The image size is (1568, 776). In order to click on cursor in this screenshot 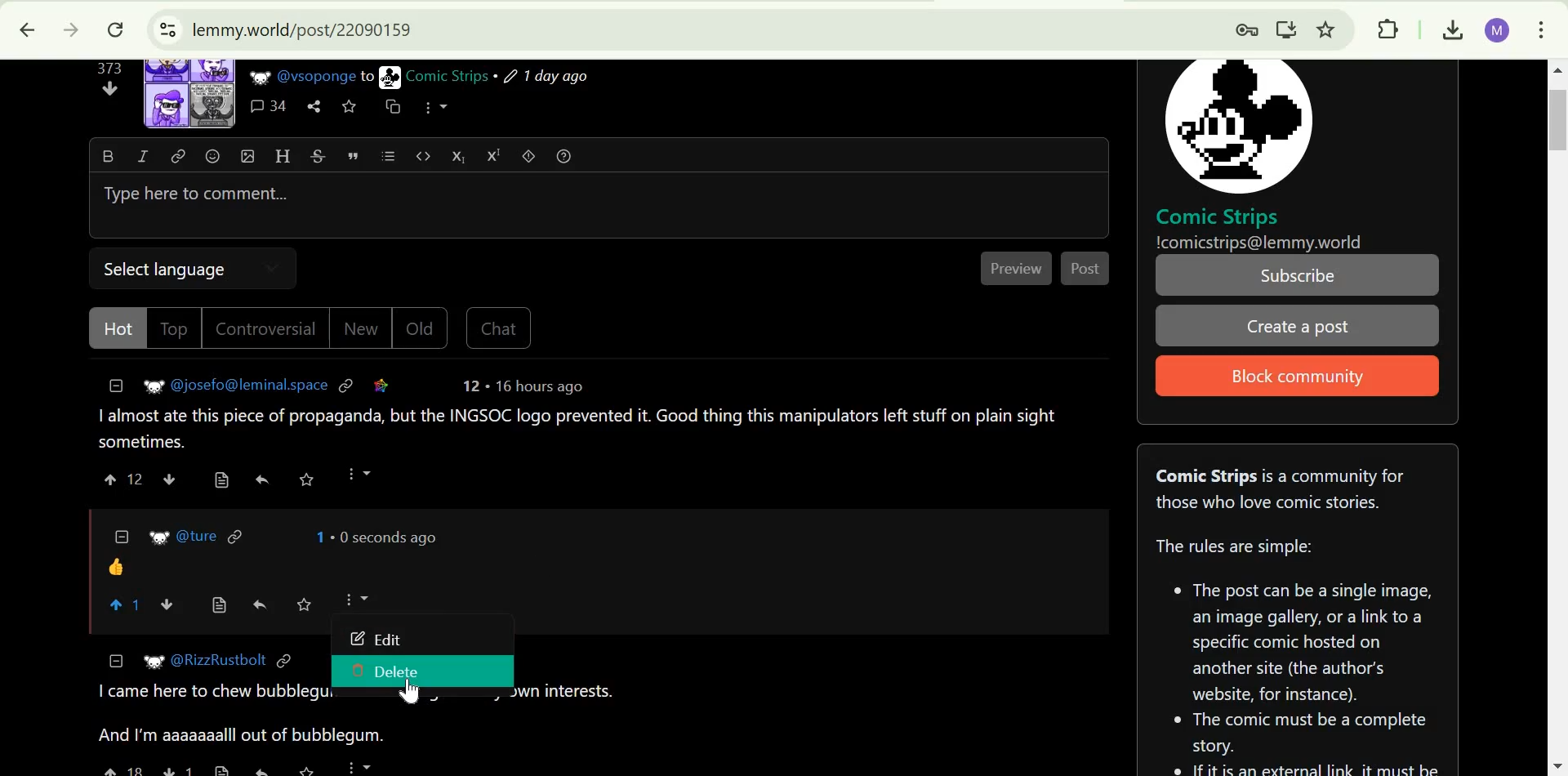, I will do `click(408, 693)`.